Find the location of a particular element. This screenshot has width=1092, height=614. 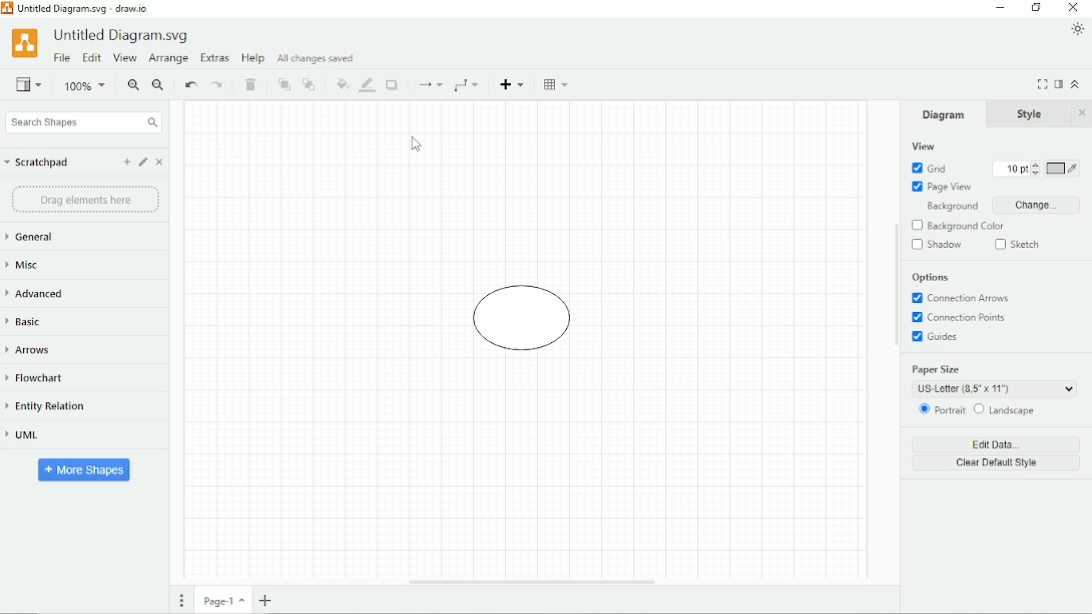

Edit is located at coordinates (143, 163).